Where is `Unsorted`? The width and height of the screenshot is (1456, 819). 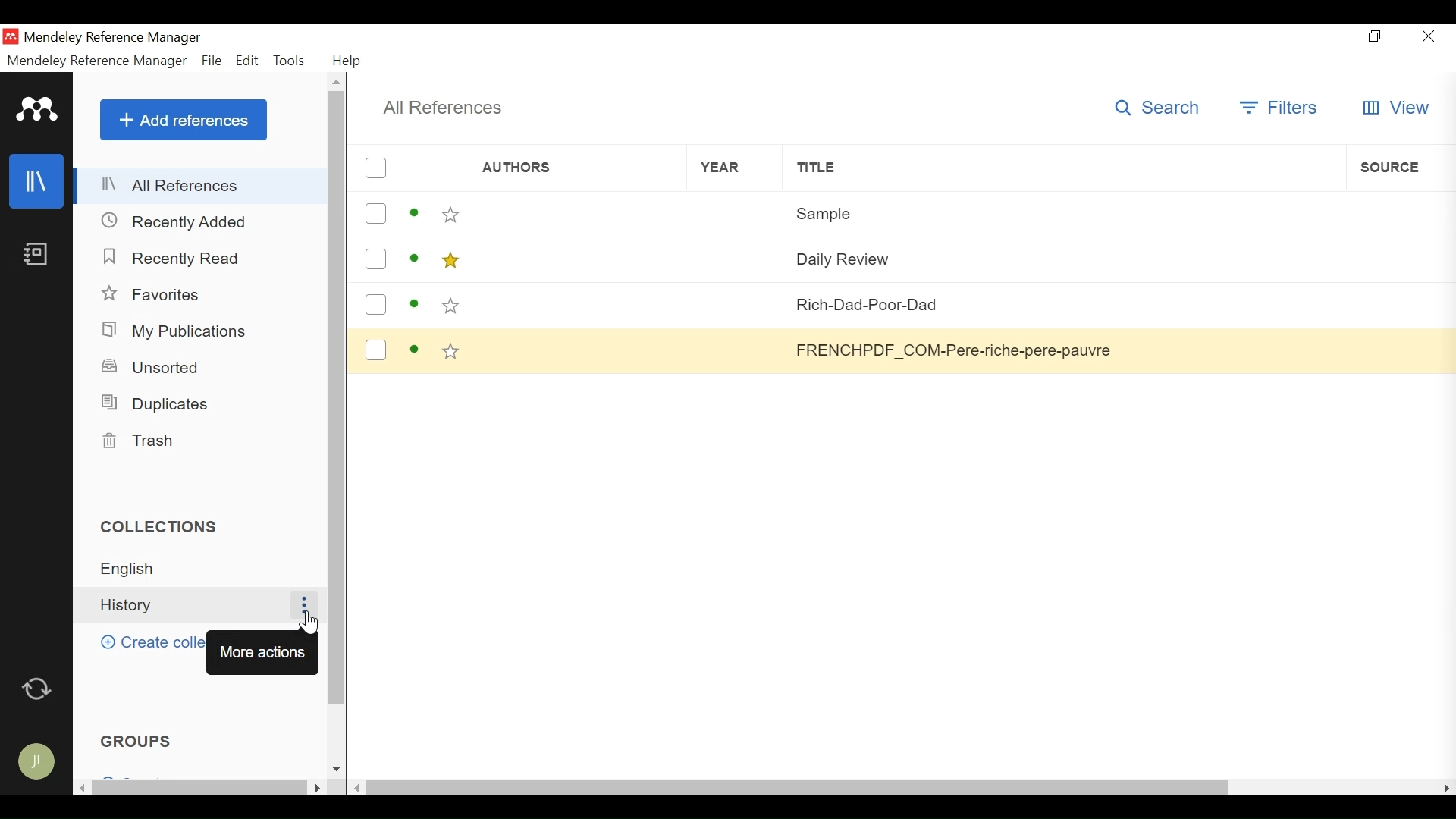 Unsorted is located at coordinates (154, 366).